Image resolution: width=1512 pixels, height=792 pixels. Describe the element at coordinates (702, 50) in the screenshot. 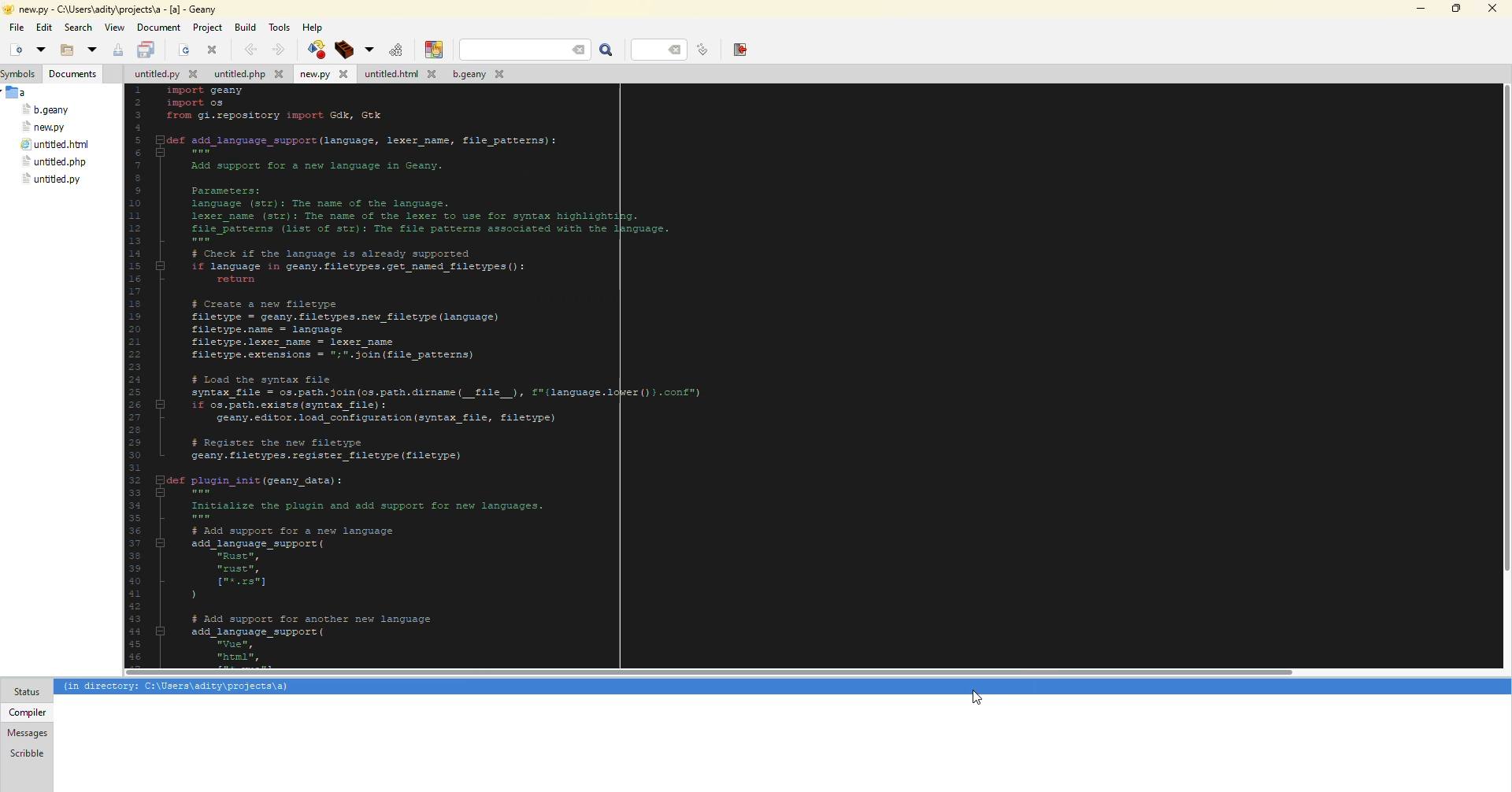

I see `line number` at that location.